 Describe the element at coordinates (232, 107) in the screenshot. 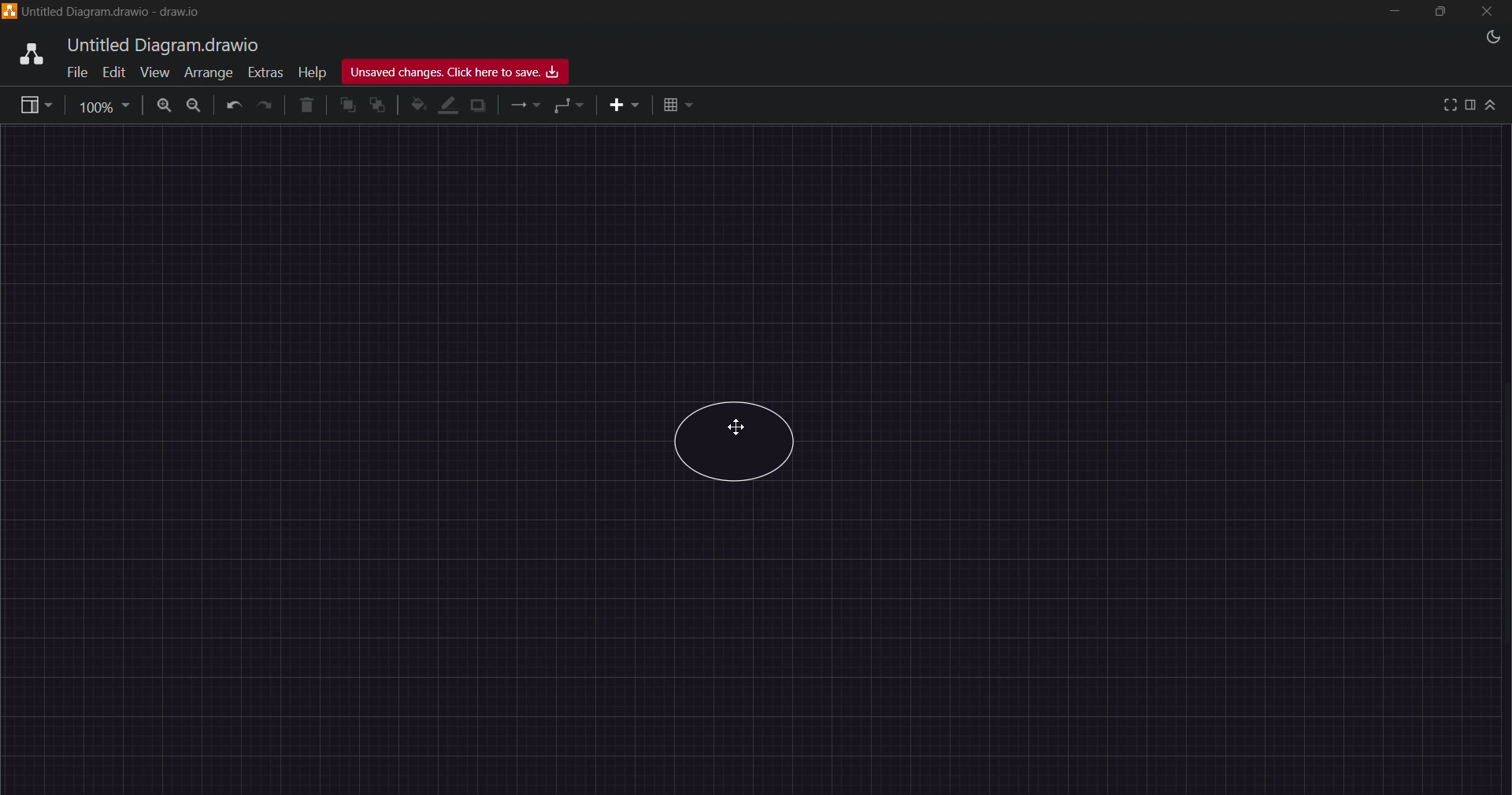

I see `undo` at that location.